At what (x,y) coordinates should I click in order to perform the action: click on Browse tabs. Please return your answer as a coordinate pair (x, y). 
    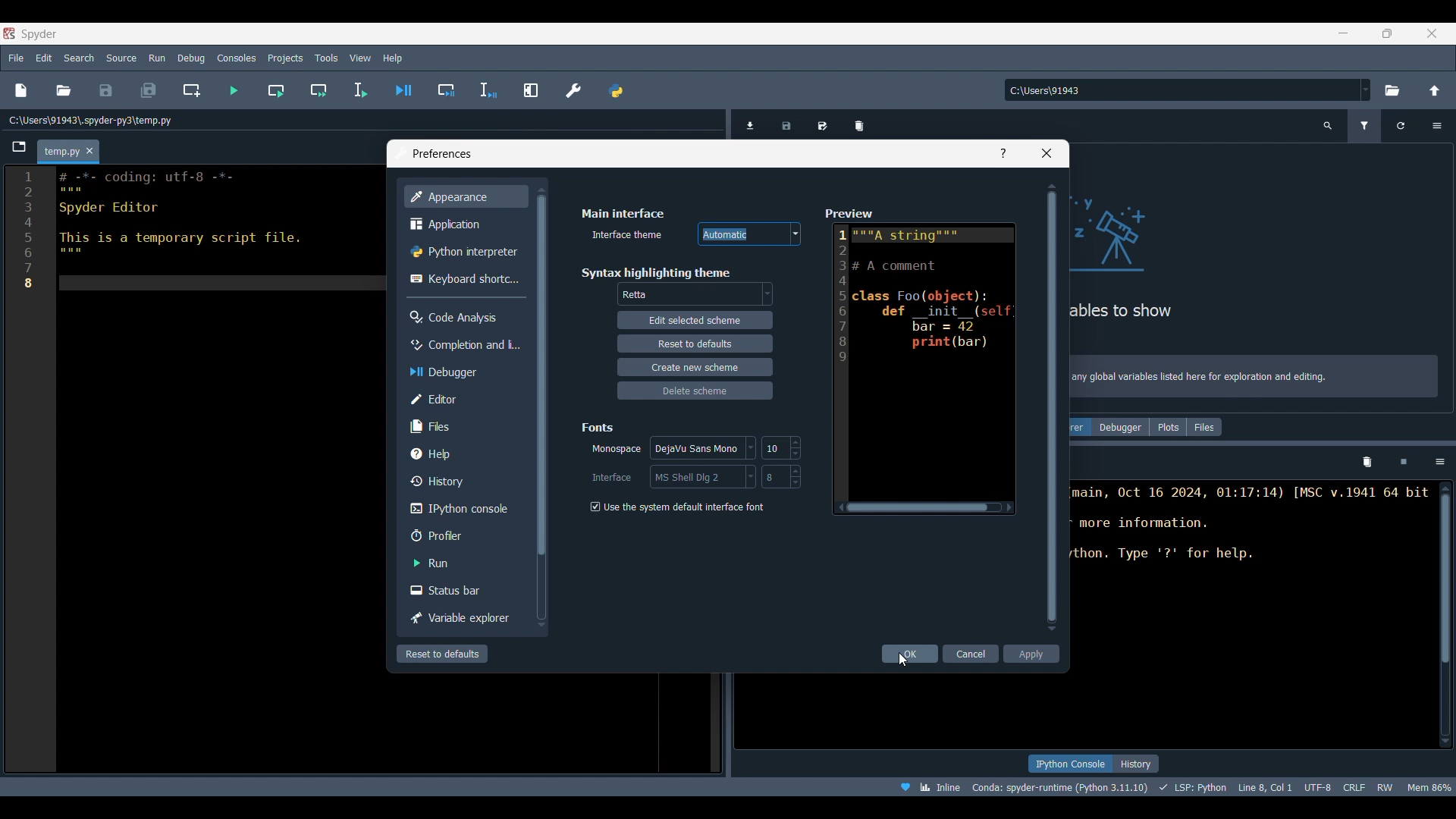
    Looking at the image, I should click on (20, 147).